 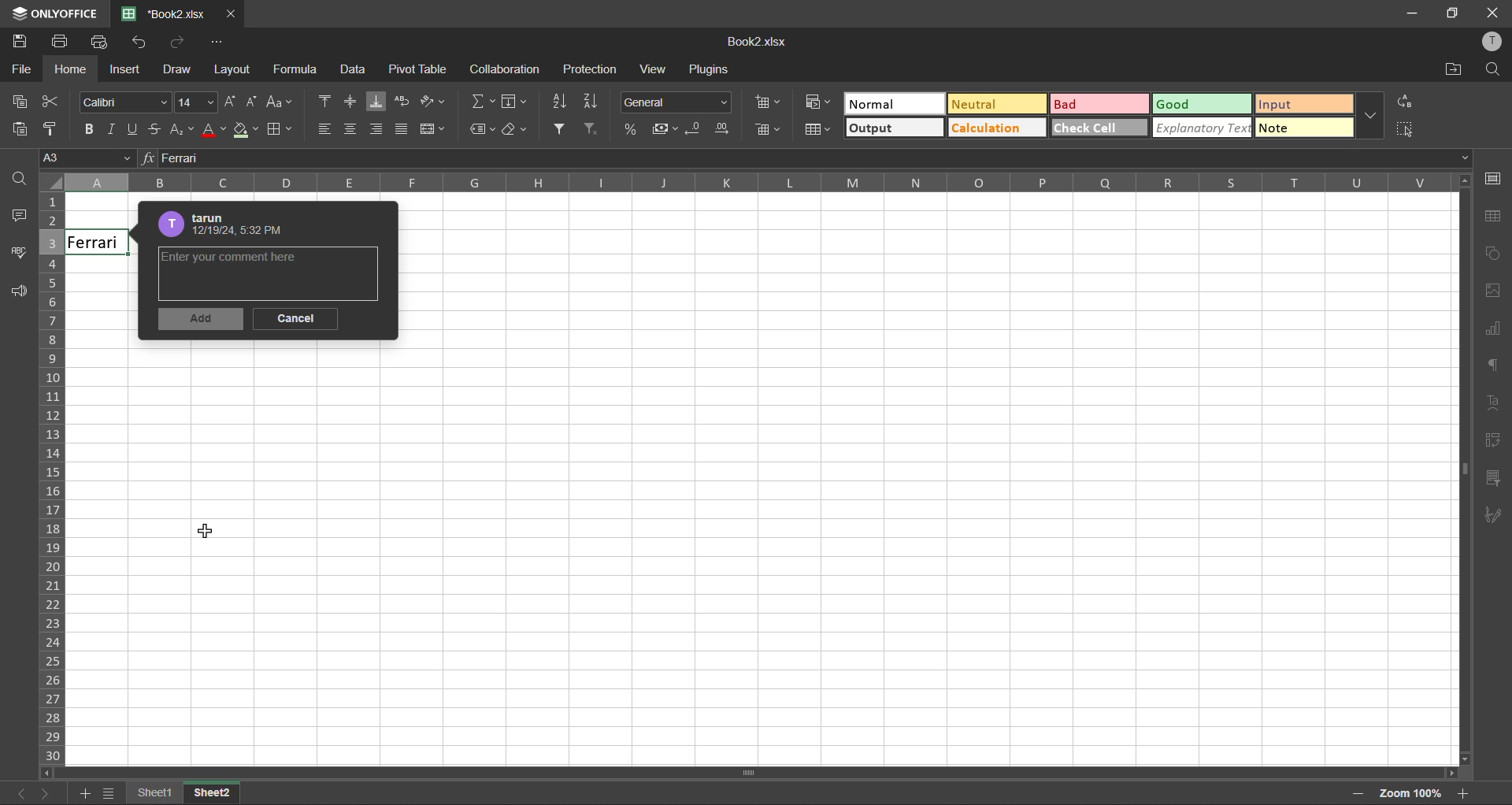 I want to click on named ranges, so click(x=483, y=128).